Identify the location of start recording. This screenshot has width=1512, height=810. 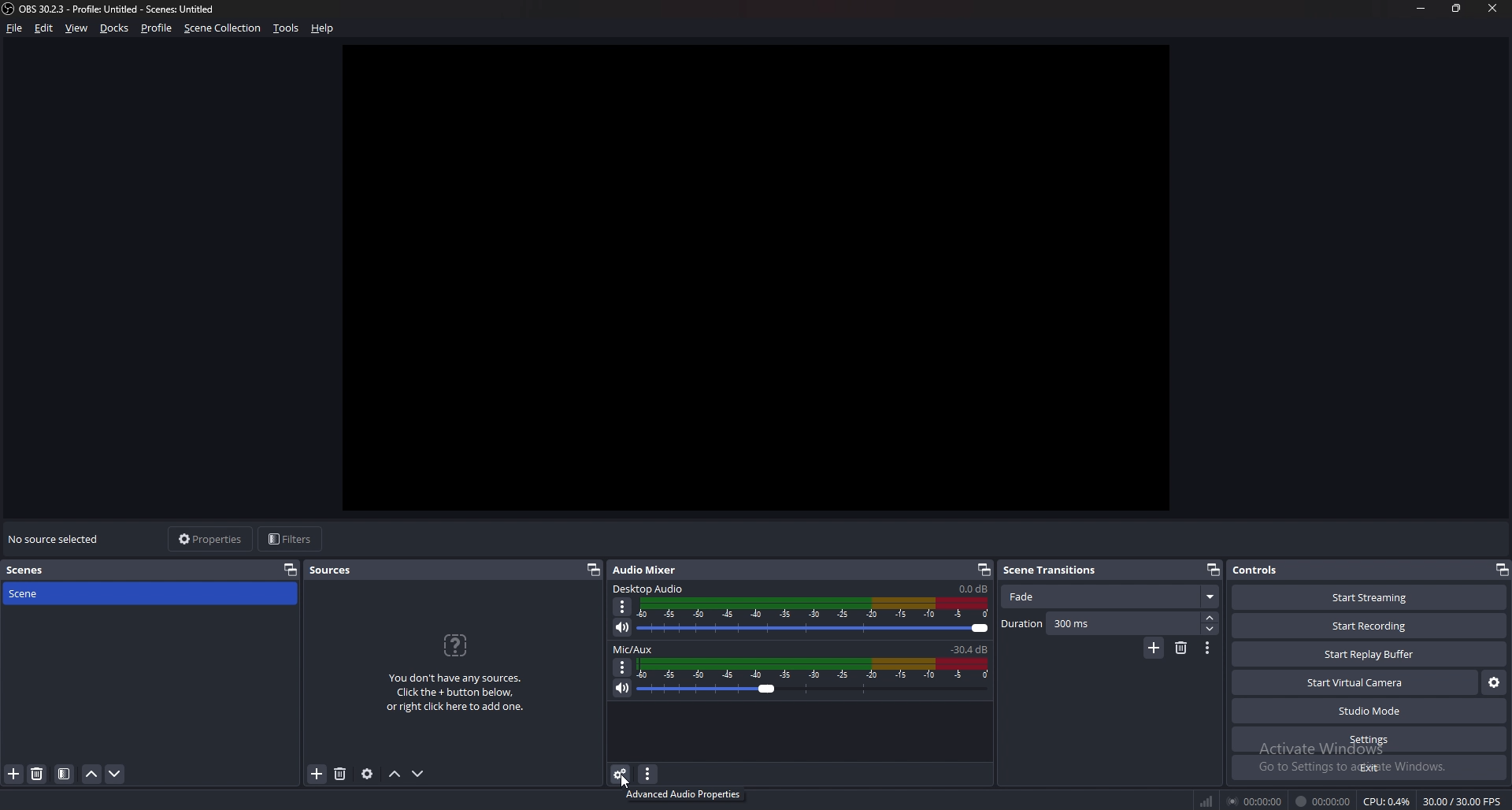
(1370, 626).